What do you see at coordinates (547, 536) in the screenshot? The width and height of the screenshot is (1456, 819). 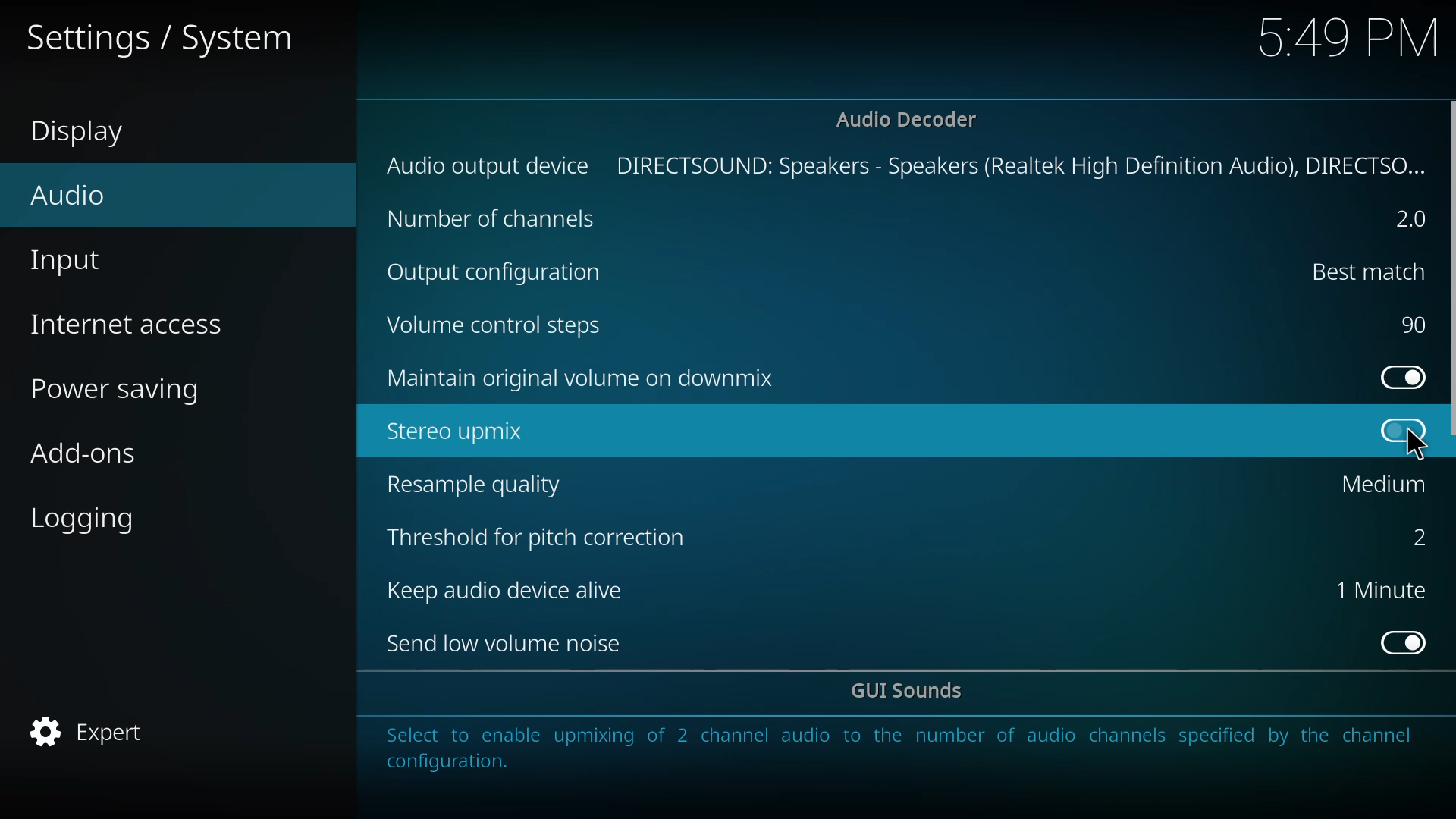 I see `threshold` at bounding box center [547, 536].